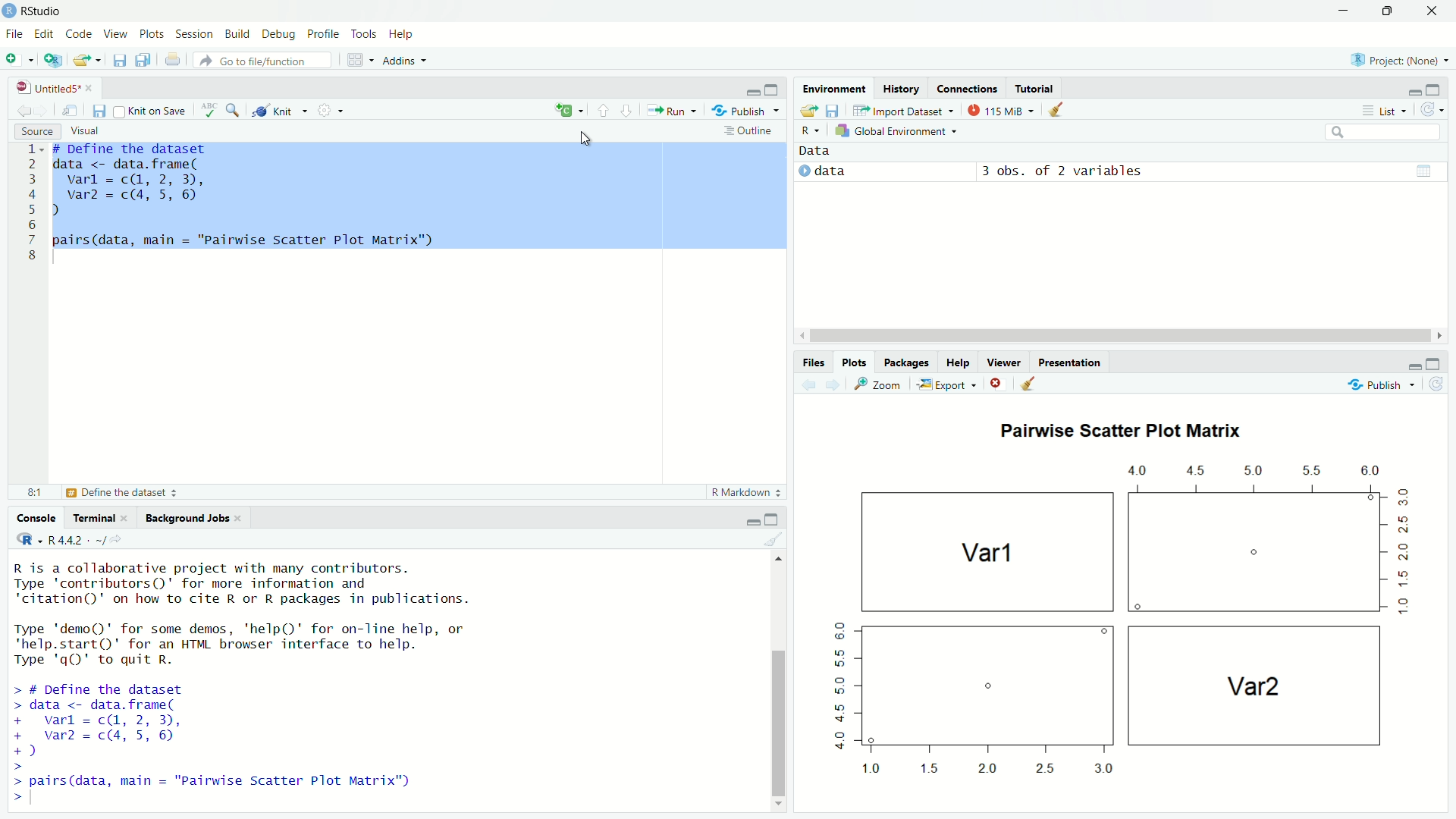 This screenshot has width=1456, height=819. I want to click on Data/Table, so click(1426, 170).